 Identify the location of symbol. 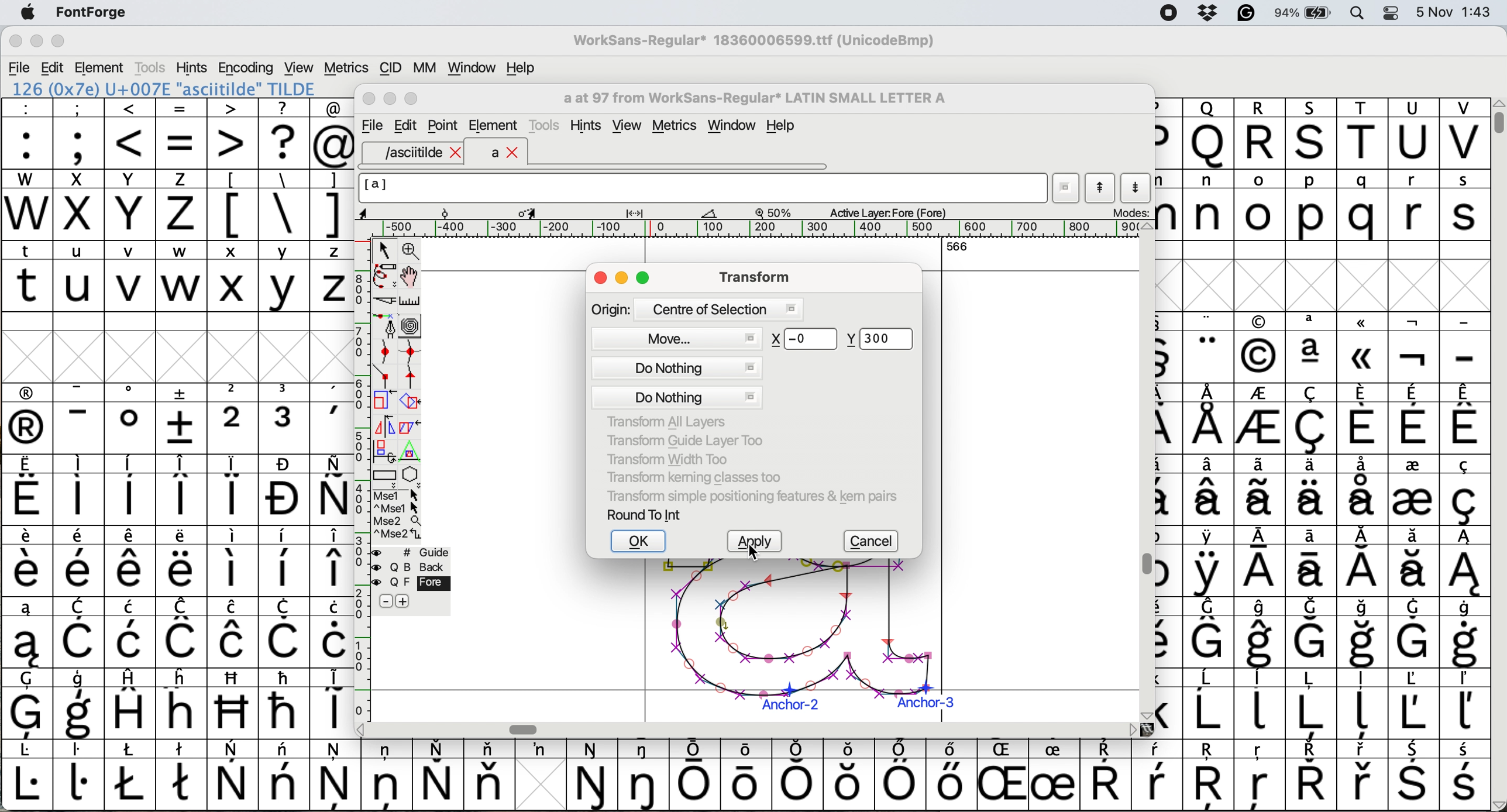
(593, 776).